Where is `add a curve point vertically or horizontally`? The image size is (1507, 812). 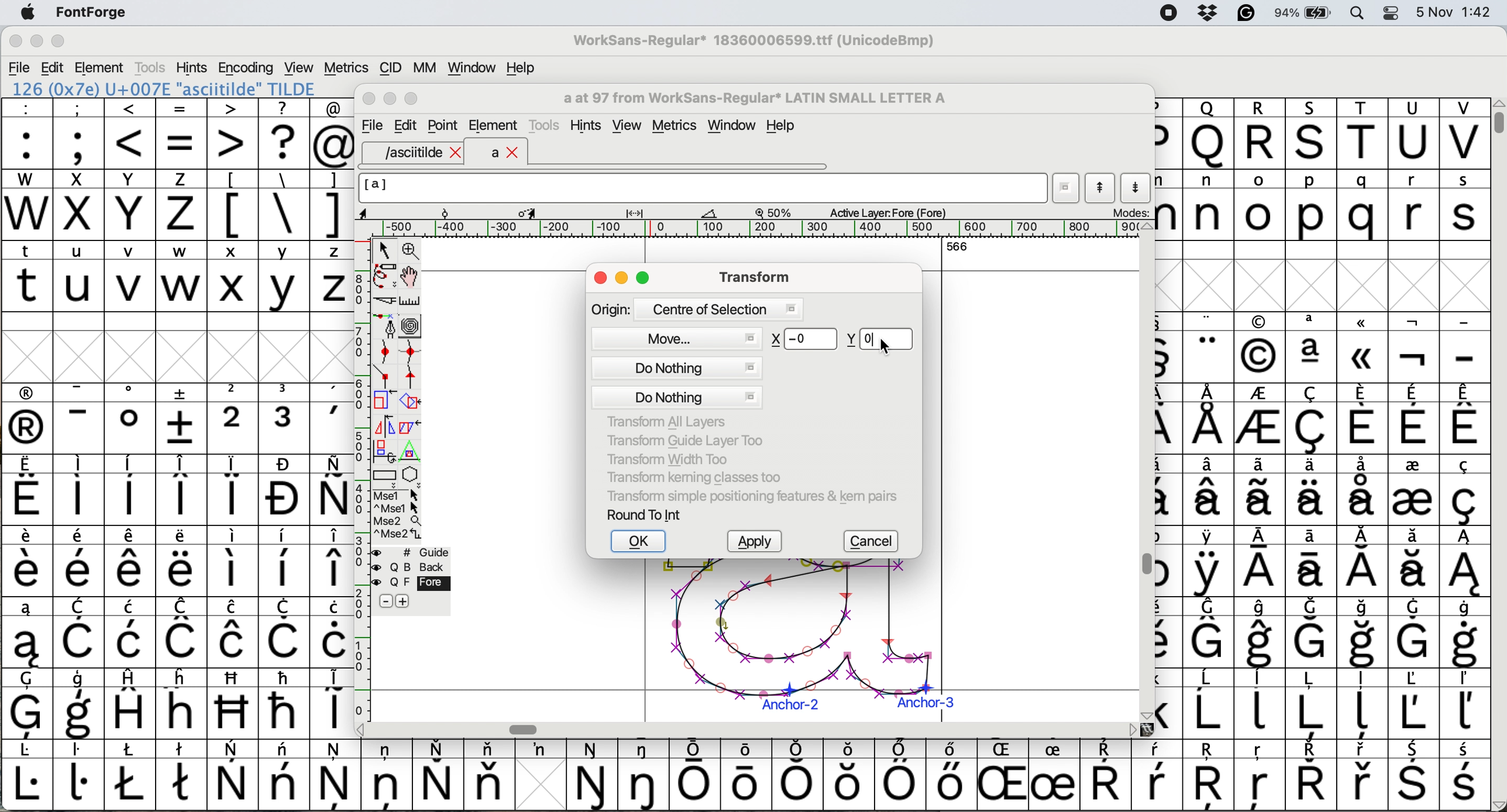 add a curve point vertically or horizontally is located at coordinates (414, 352).